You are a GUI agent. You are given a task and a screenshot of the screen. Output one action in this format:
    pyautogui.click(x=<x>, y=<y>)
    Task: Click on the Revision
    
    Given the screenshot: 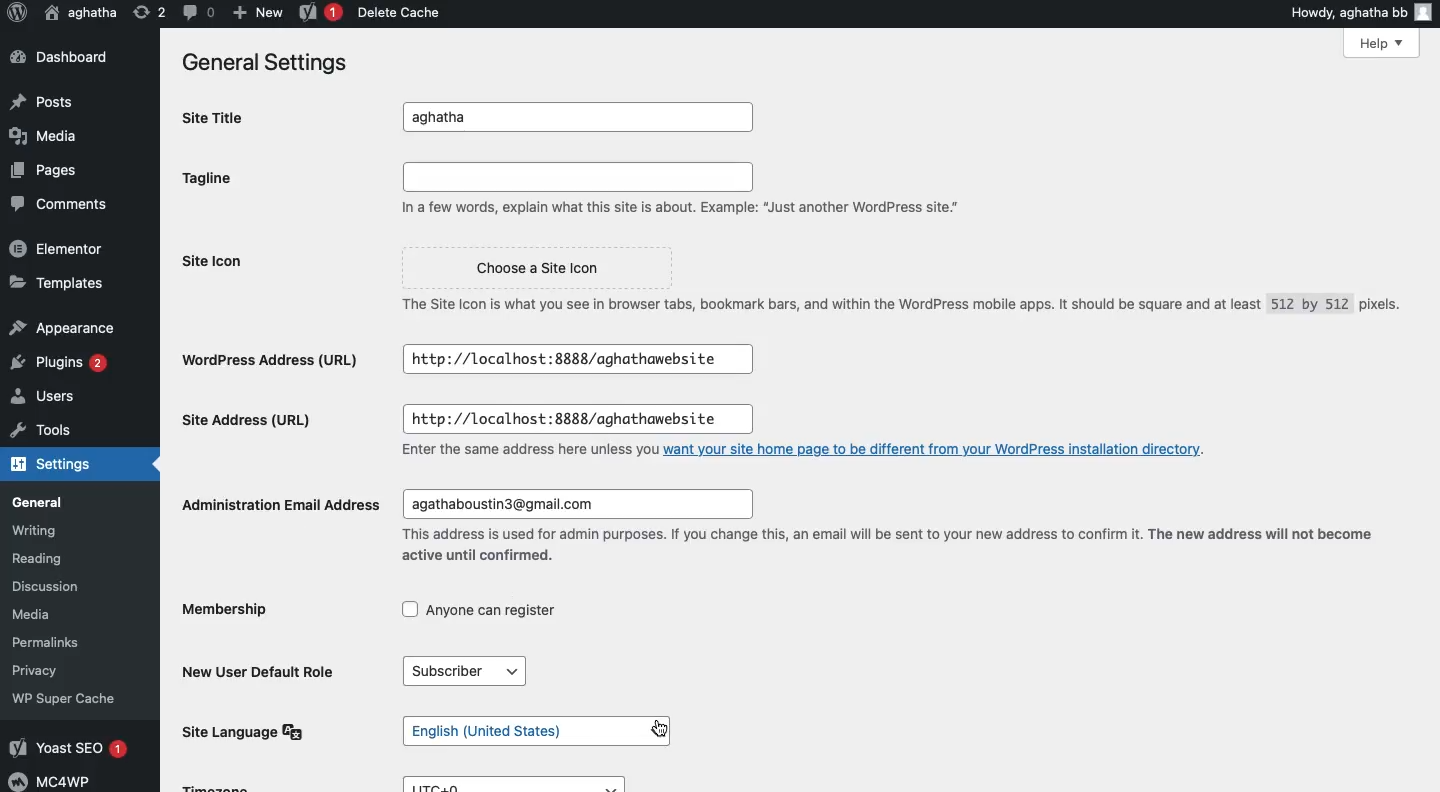 What is the action you would take?
    pyautogui.click(x=145, y=14)
    